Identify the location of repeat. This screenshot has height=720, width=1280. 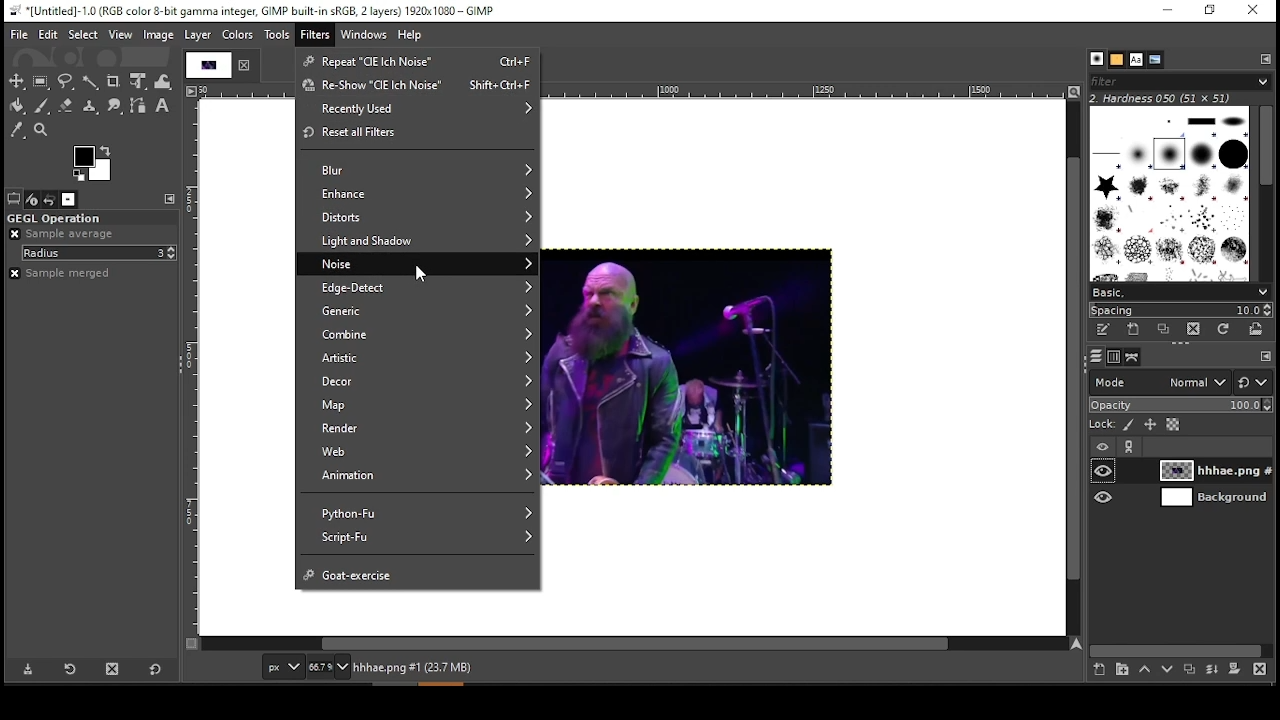
(414, 60).